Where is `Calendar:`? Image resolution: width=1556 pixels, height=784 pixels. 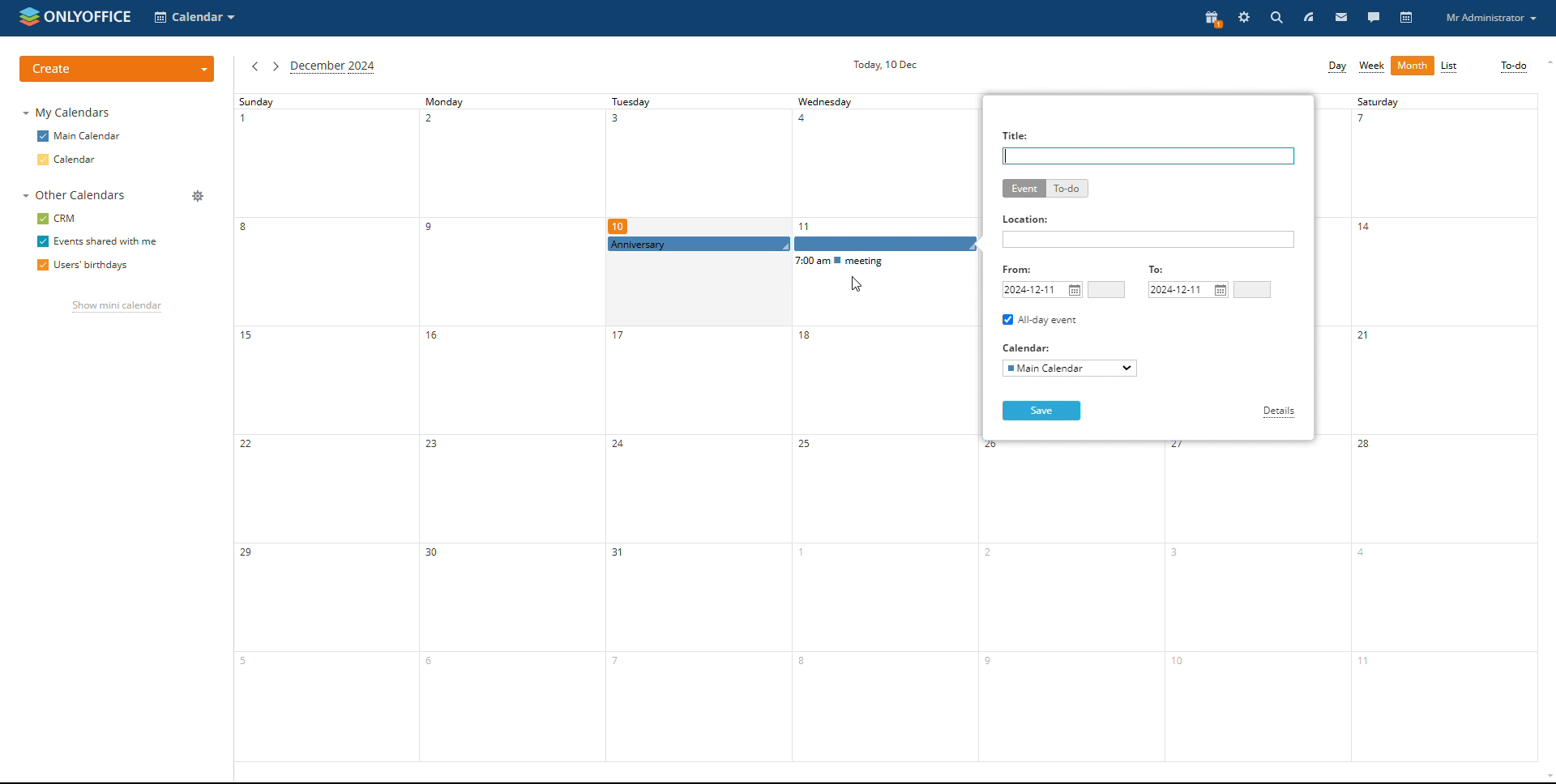
Calendar: is located at coordinates (1029, 347).